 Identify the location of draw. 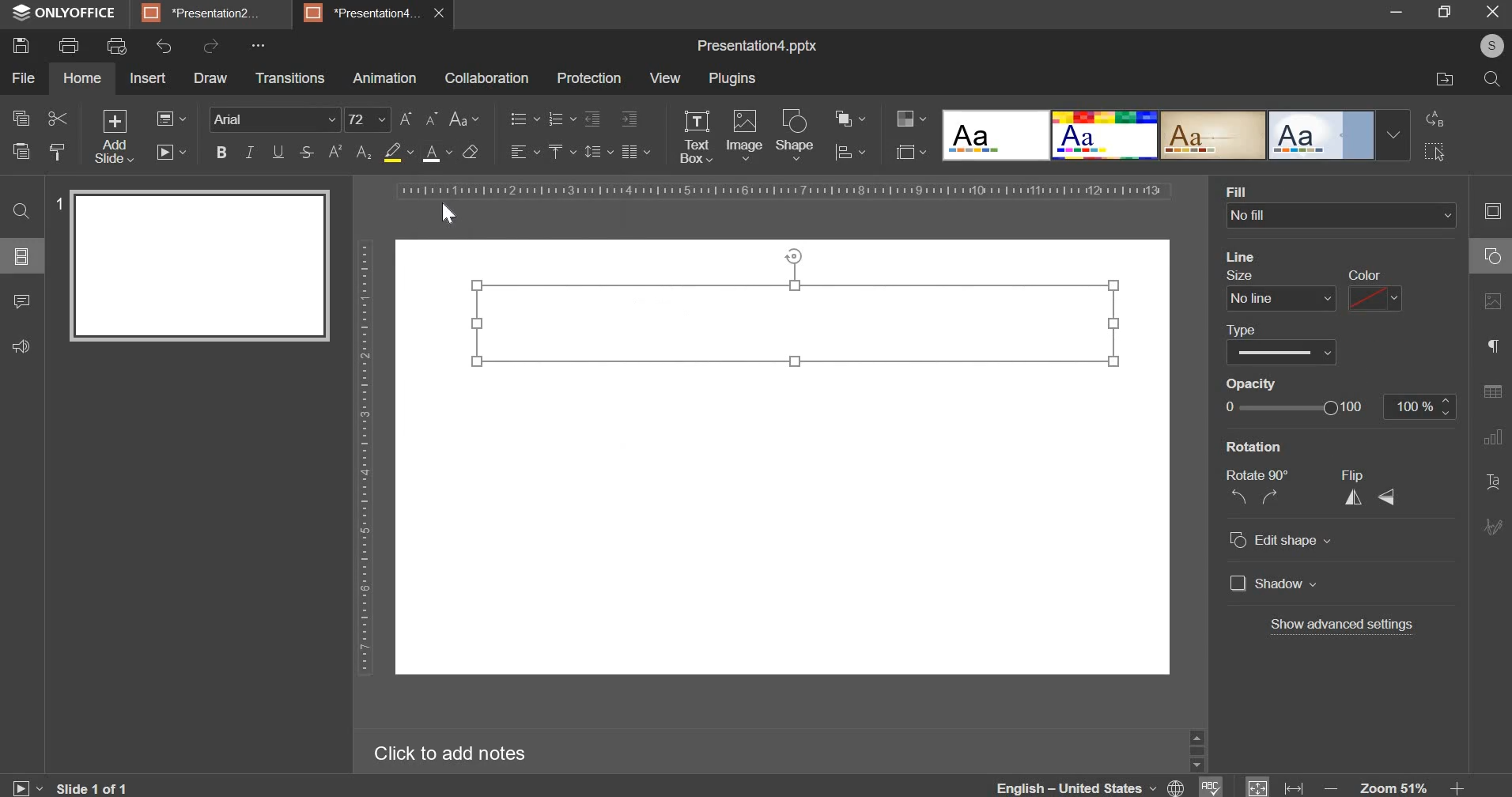
(210, 77).